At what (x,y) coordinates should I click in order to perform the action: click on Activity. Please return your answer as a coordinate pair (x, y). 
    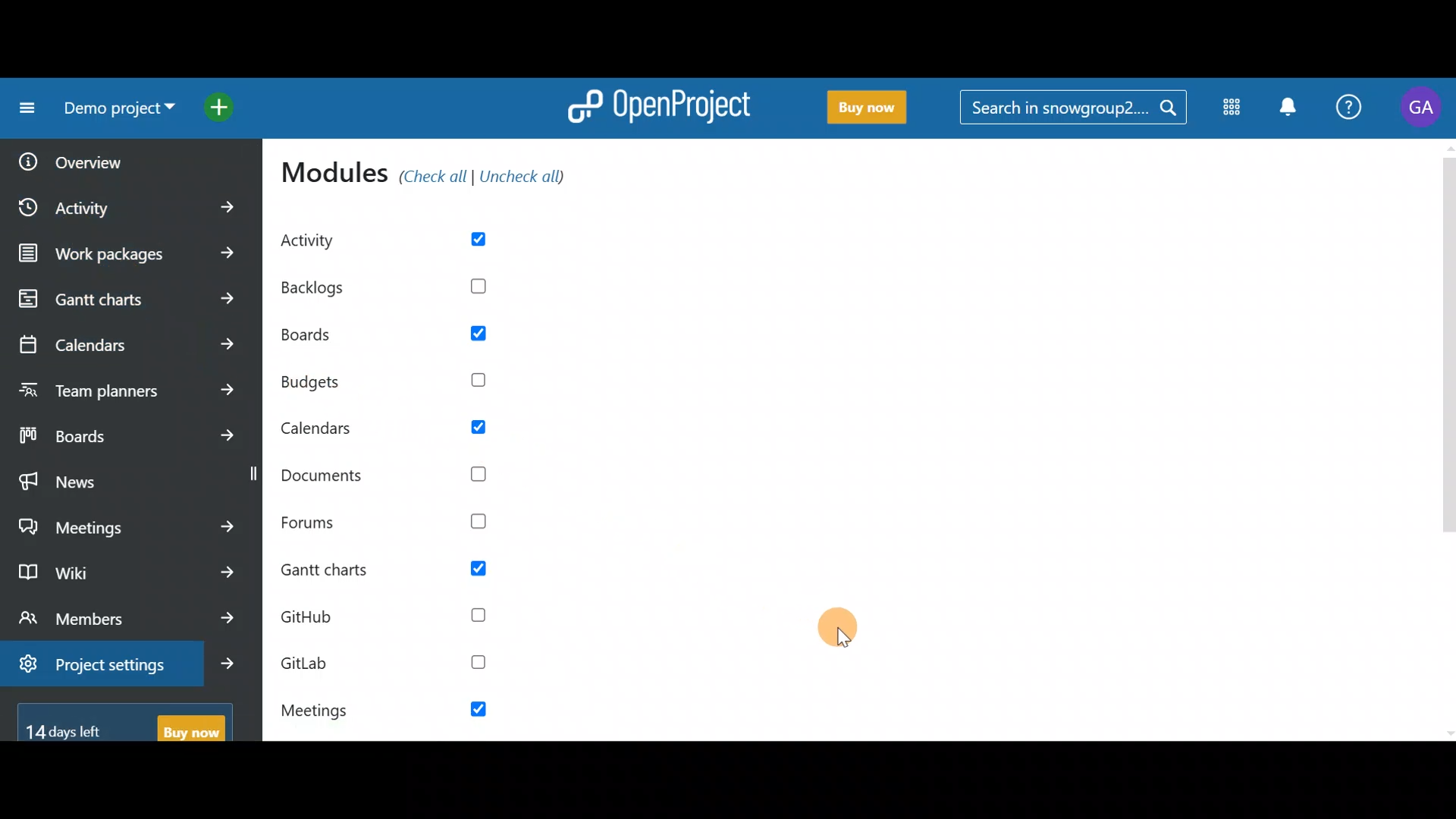
    Looking at the image, I should click on (400, 240).